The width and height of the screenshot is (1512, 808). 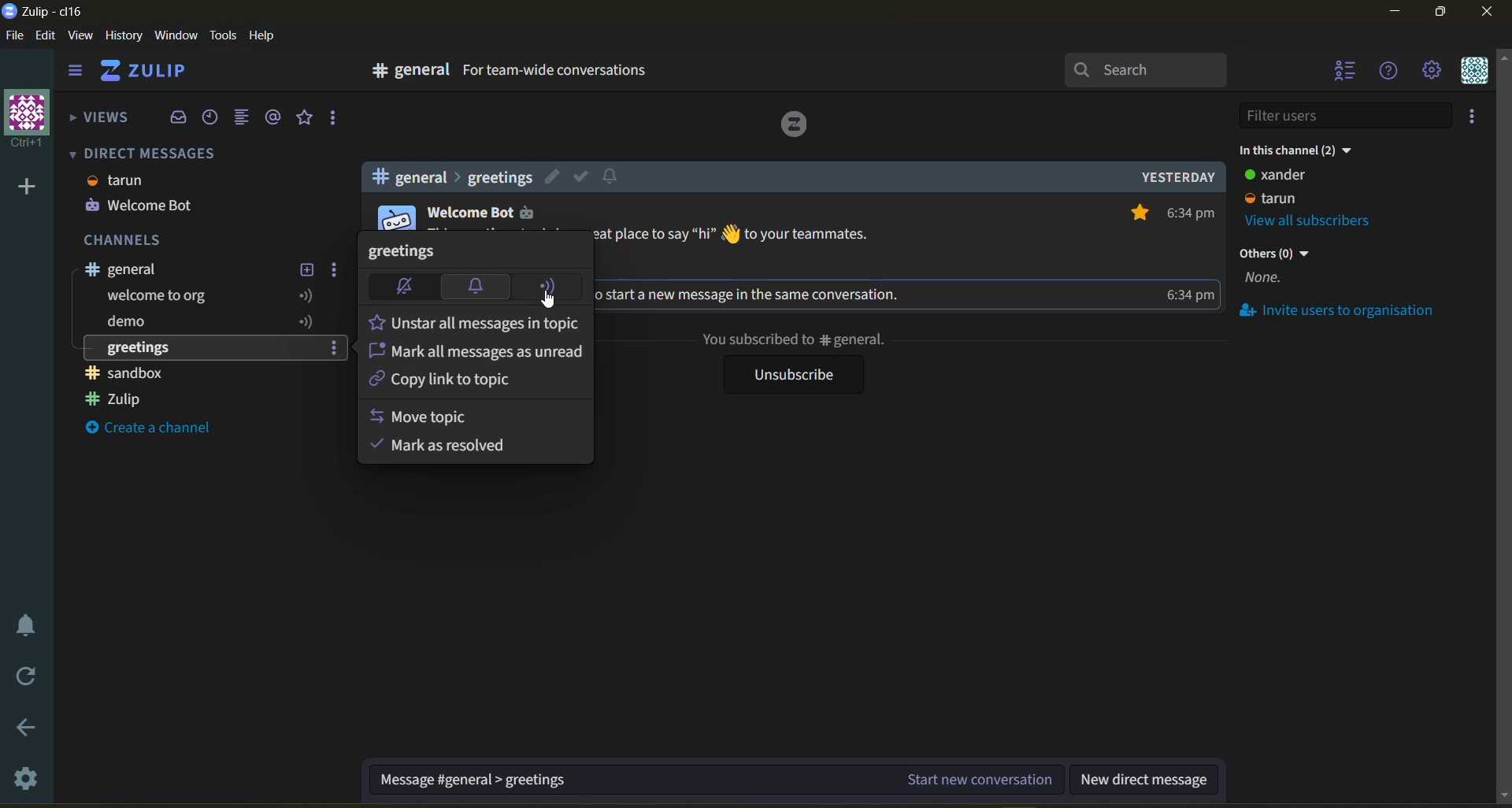 I want to click on follow, so click(x=550, y=287).